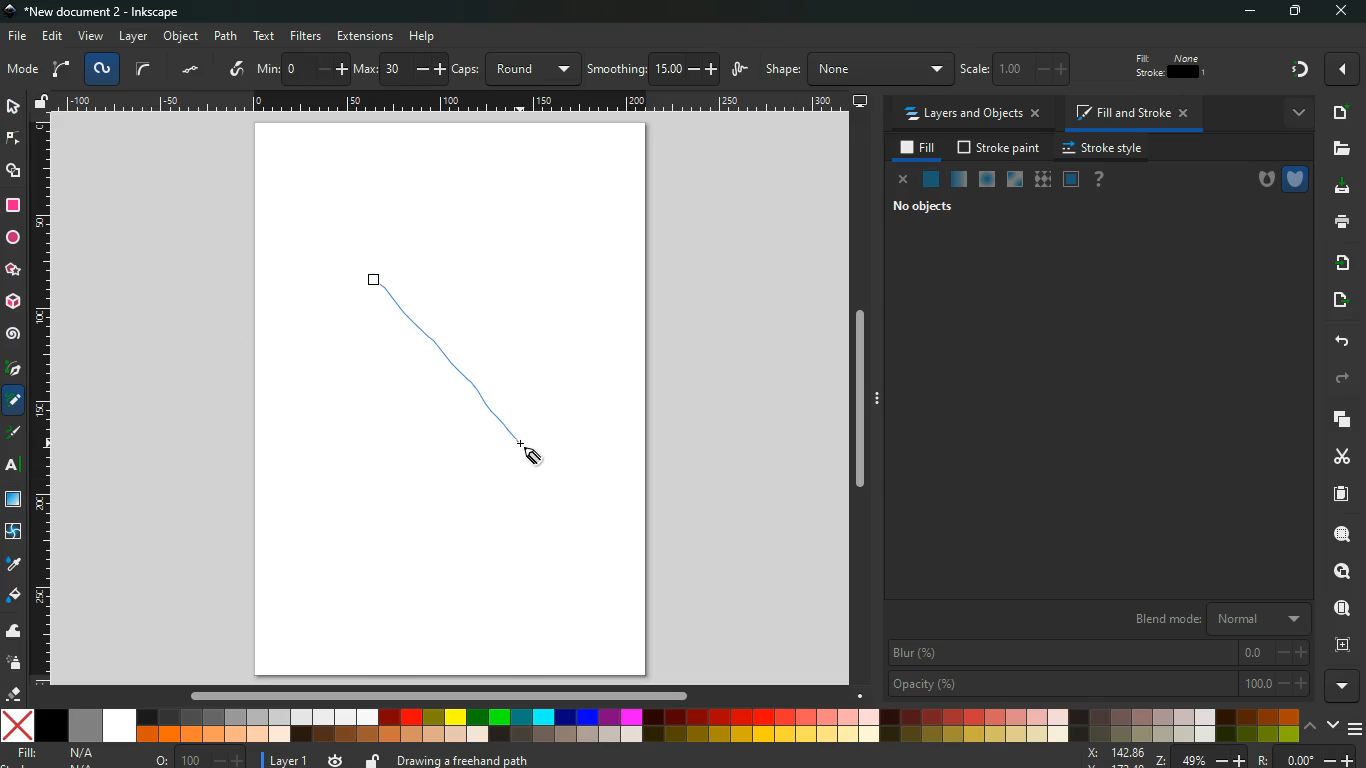 The width and height of the screenshot is (1366, 768). I want to click on download, so click(1337, 188).